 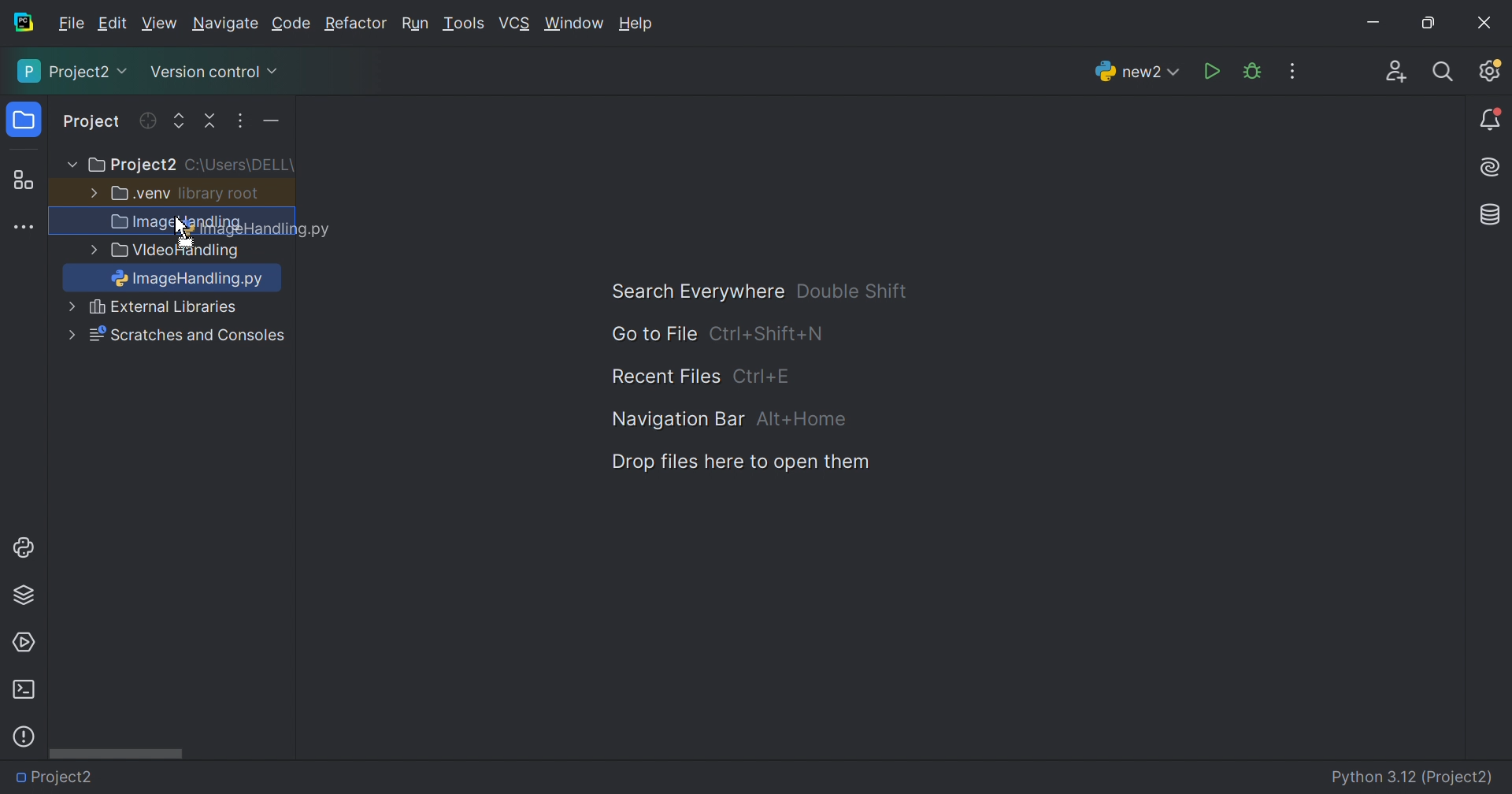 What do you see at coordinates (24, 594) in the screenshot?
I see `Python packages` at bounding box center [24, 594].